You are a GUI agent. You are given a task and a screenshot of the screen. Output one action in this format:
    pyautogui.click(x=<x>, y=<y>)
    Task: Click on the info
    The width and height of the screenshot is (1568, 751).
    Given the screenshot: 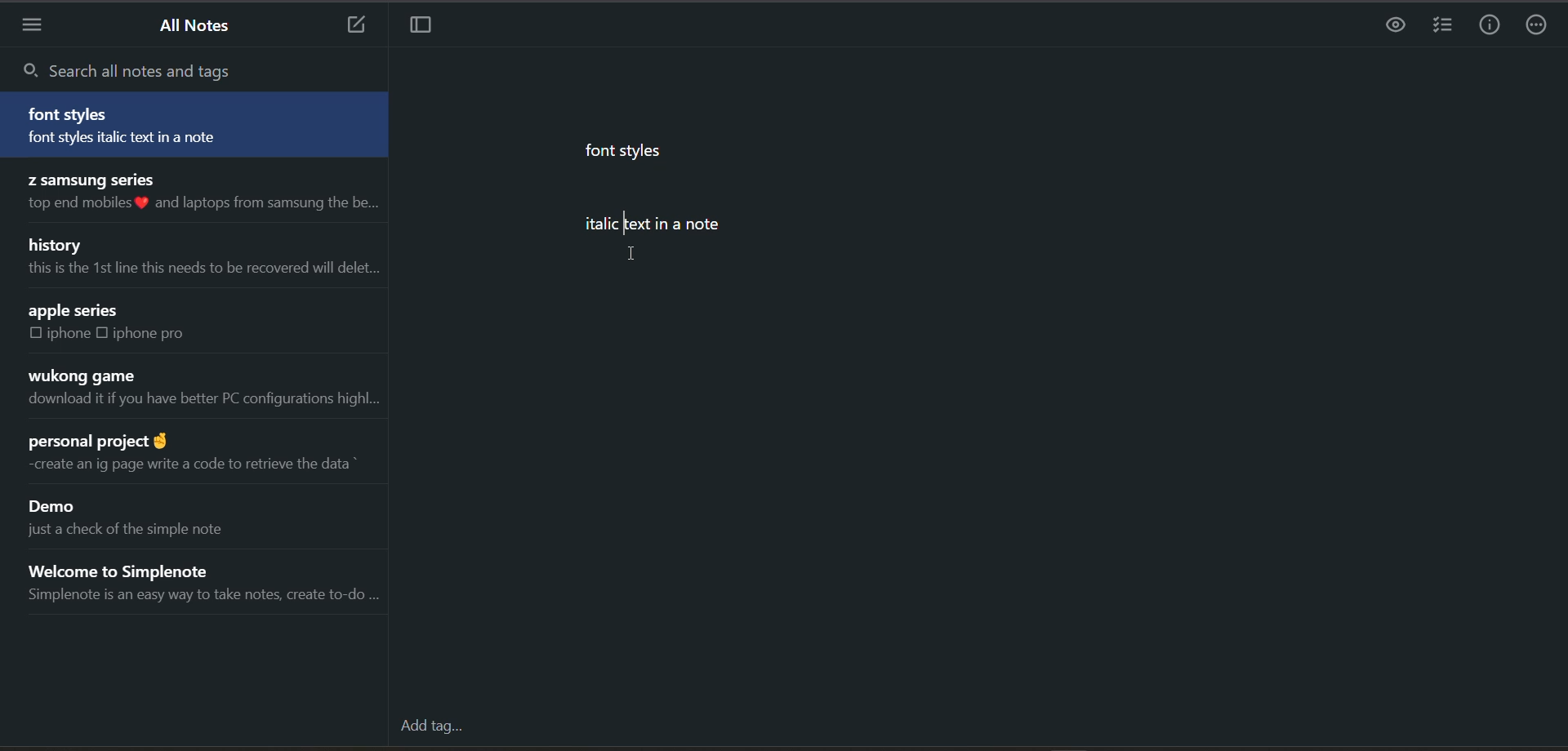 What is the action you would take?
    pyautogui.click(x=1493, y=23)
    